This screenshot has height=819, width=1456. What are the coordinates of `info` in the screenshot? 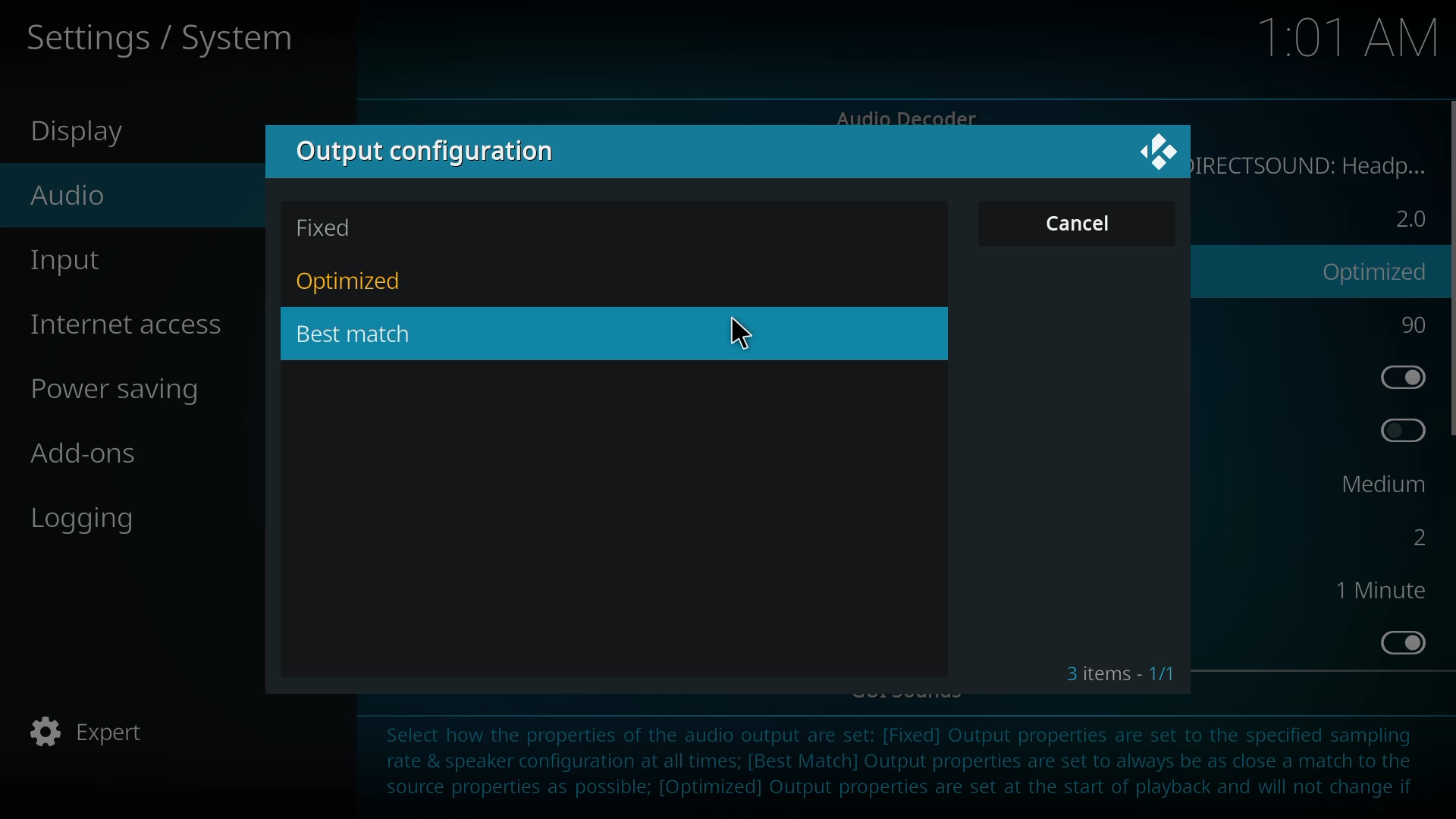 It's located at (906, 764).